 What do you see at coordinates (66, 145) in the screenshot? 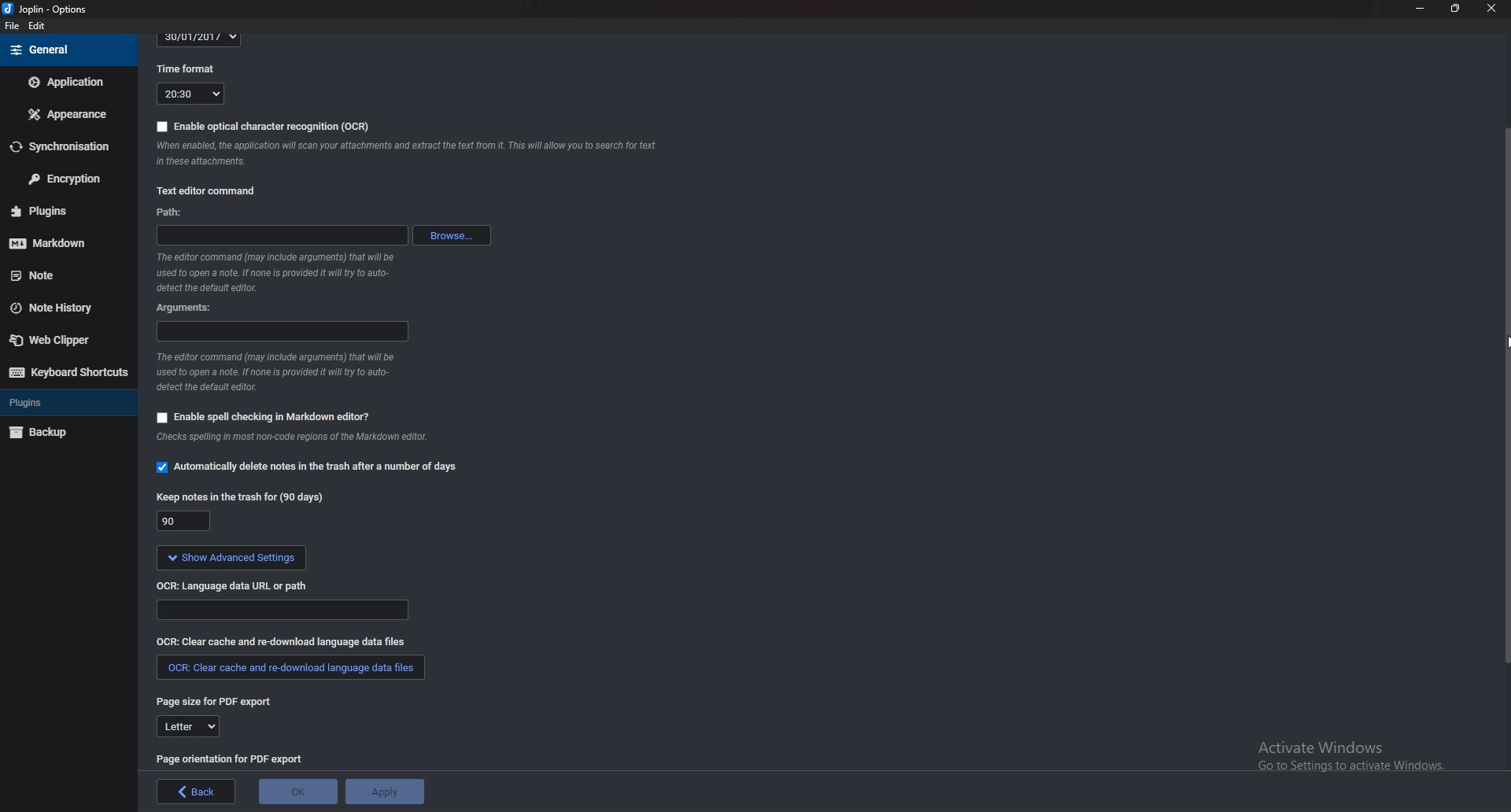
I see `Synchronization` at bounding box center [66, 145].